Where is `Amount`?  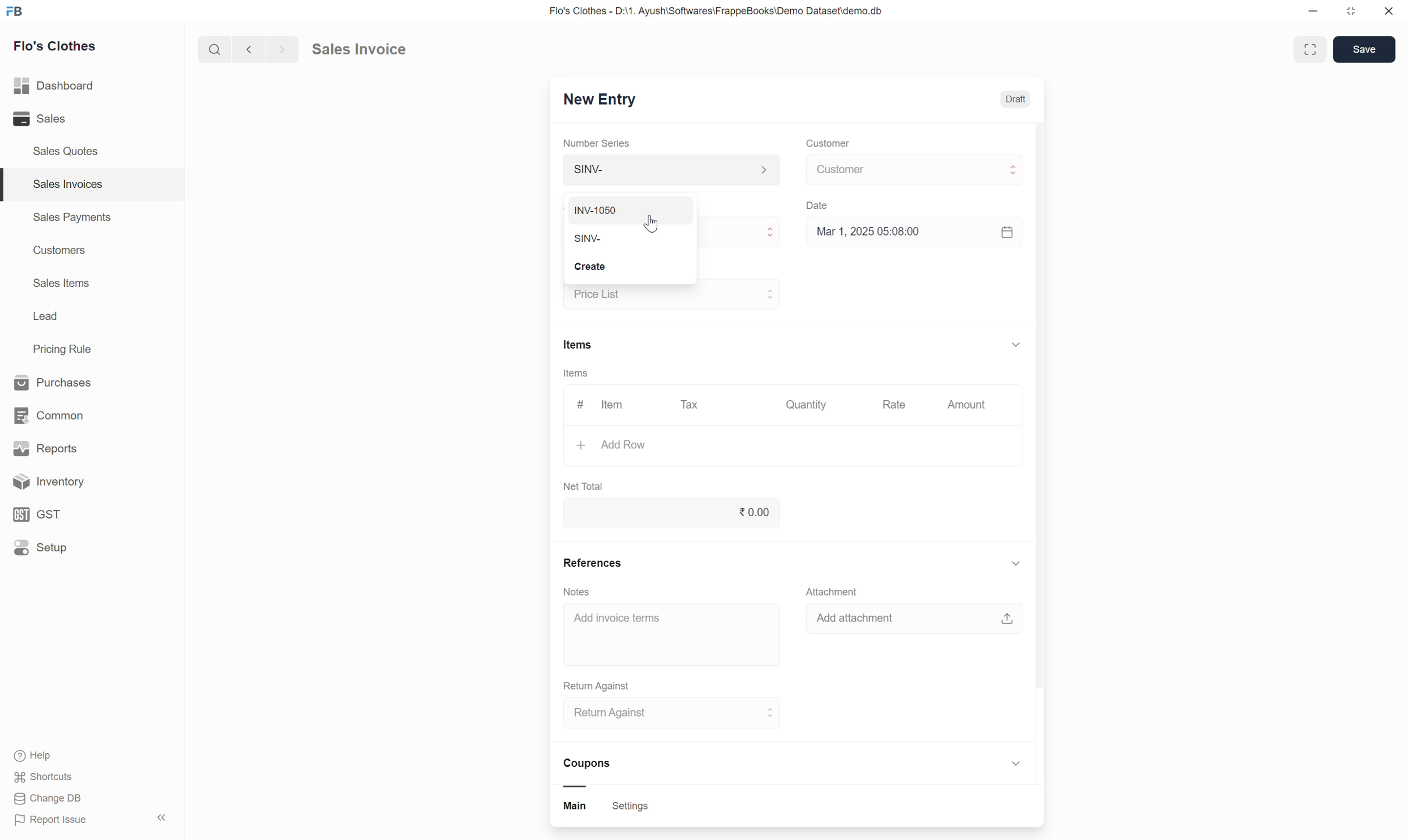 Amount is located at coordinates (966, 405).